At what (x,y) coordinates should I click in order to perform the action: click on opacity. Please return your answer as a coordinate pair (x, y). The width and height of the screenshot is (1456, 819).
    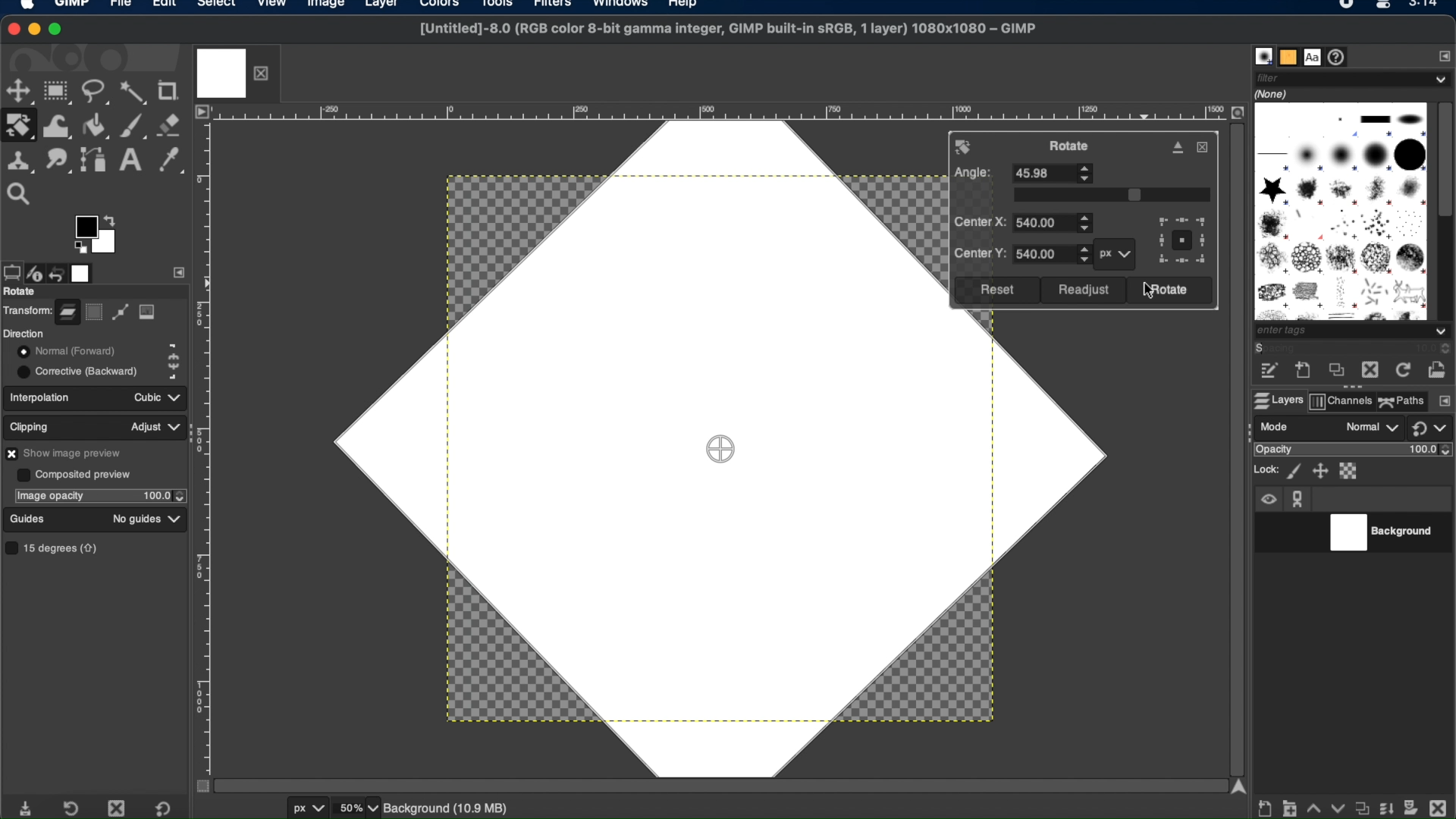
    Looking at the image, I should click on (1273, 450).